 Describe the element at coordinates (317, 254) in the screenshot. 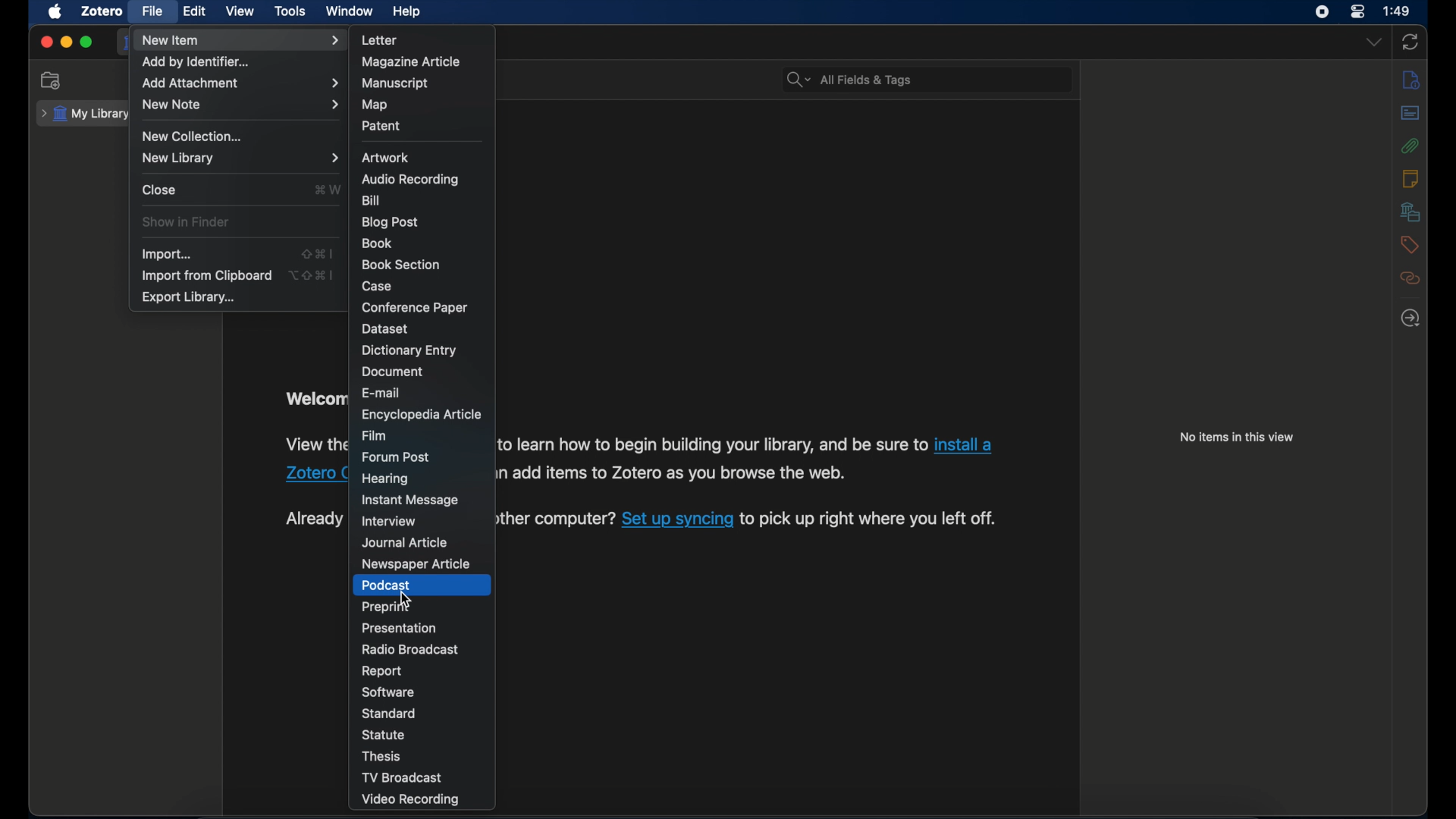

I see `shift + command + I` at that location.